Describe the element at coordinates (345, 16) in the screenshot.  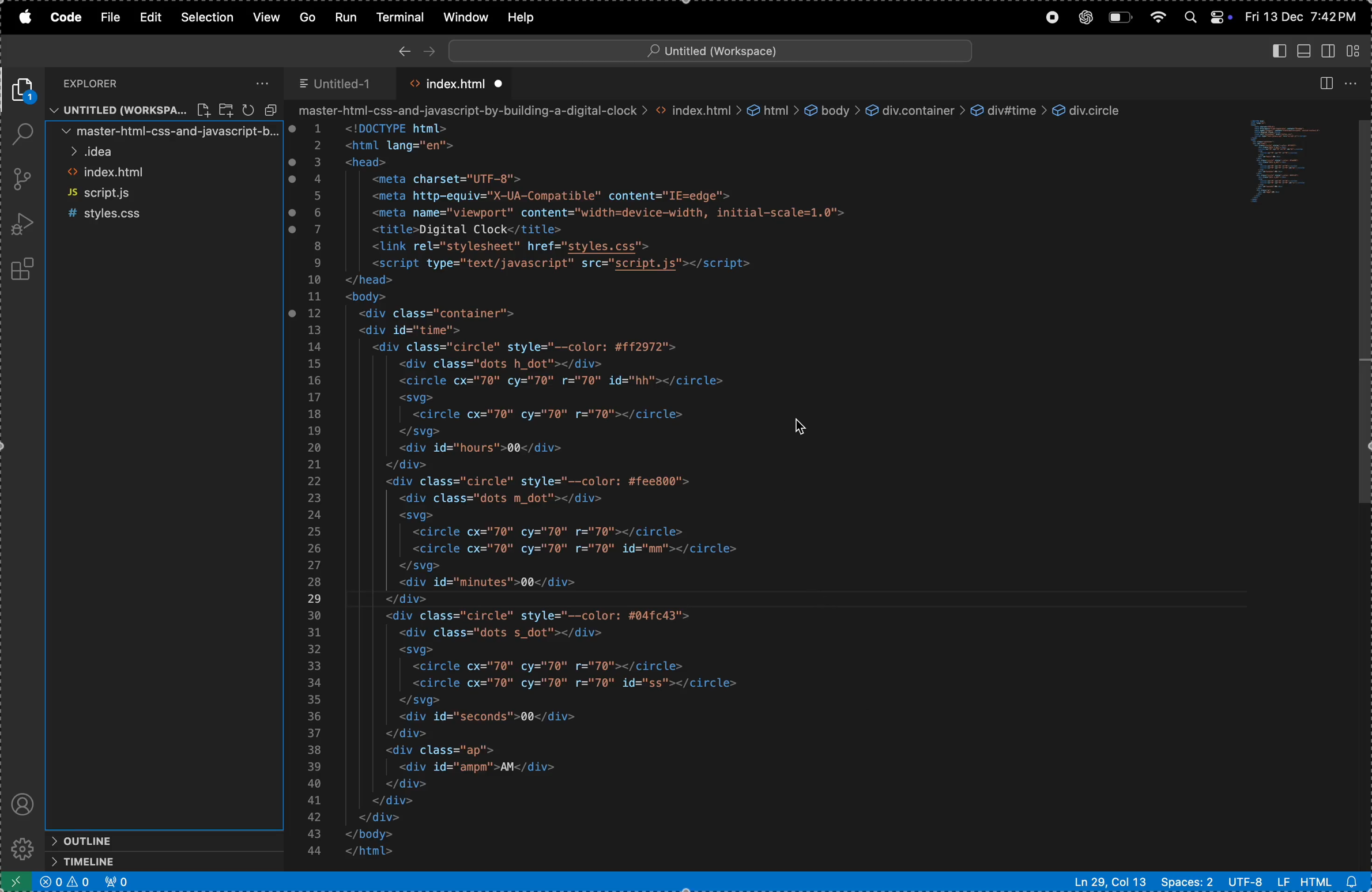
I see `run ` at that location.